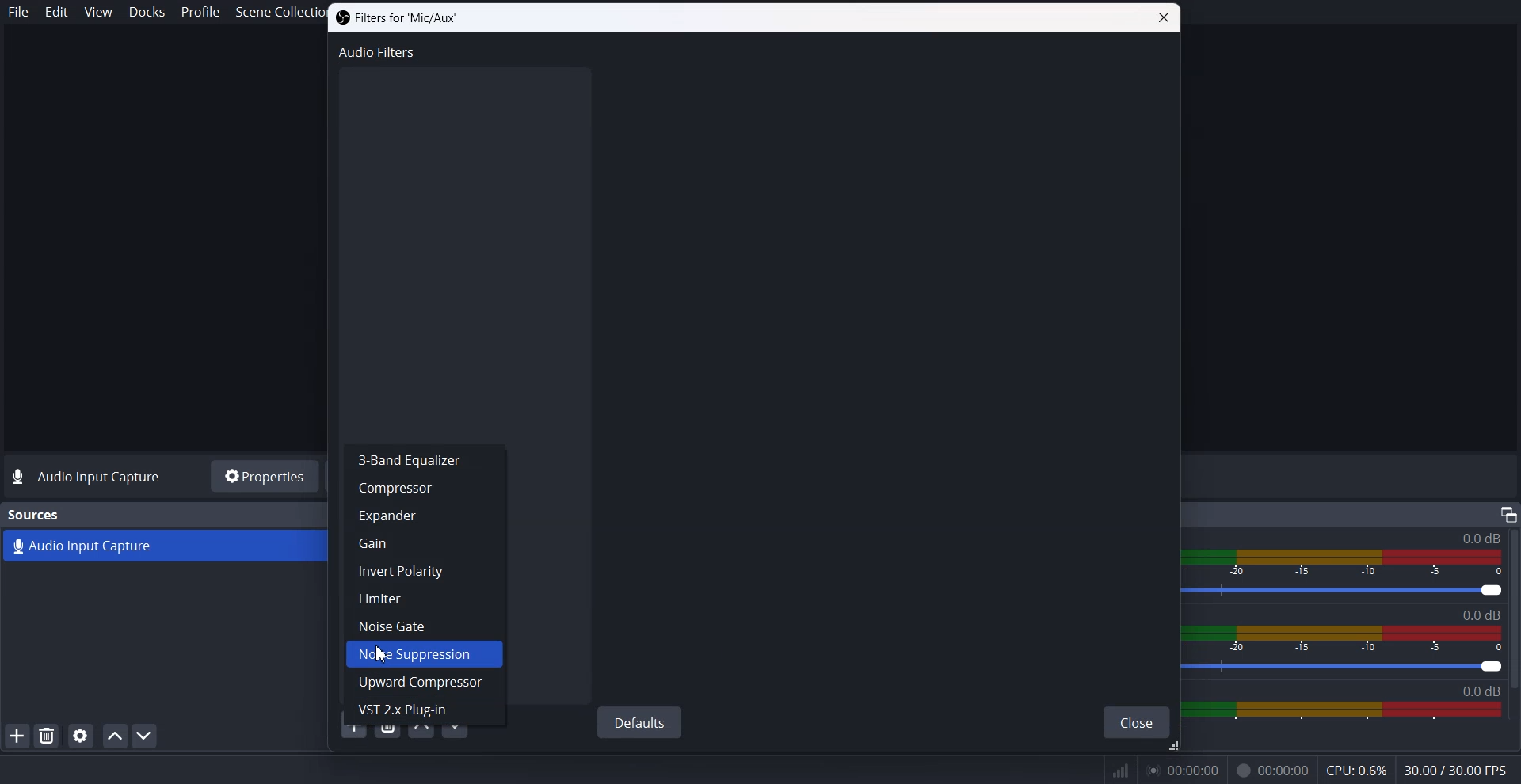 This screenshot has height=784, width=1521. I want to click on Inf, so click(1121, 771).